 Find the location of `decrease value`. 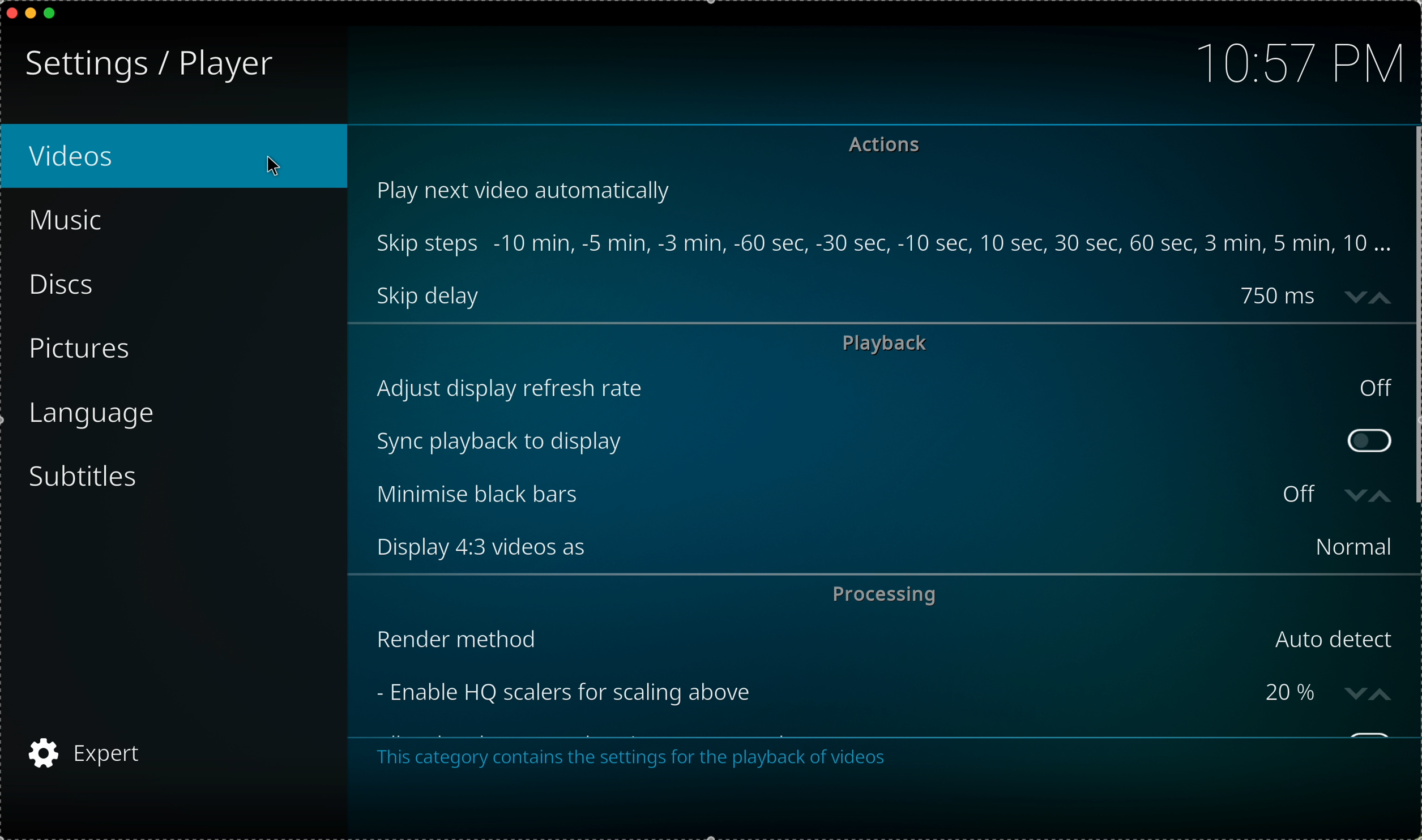

decrease value is located at coordinates (1355, 296).